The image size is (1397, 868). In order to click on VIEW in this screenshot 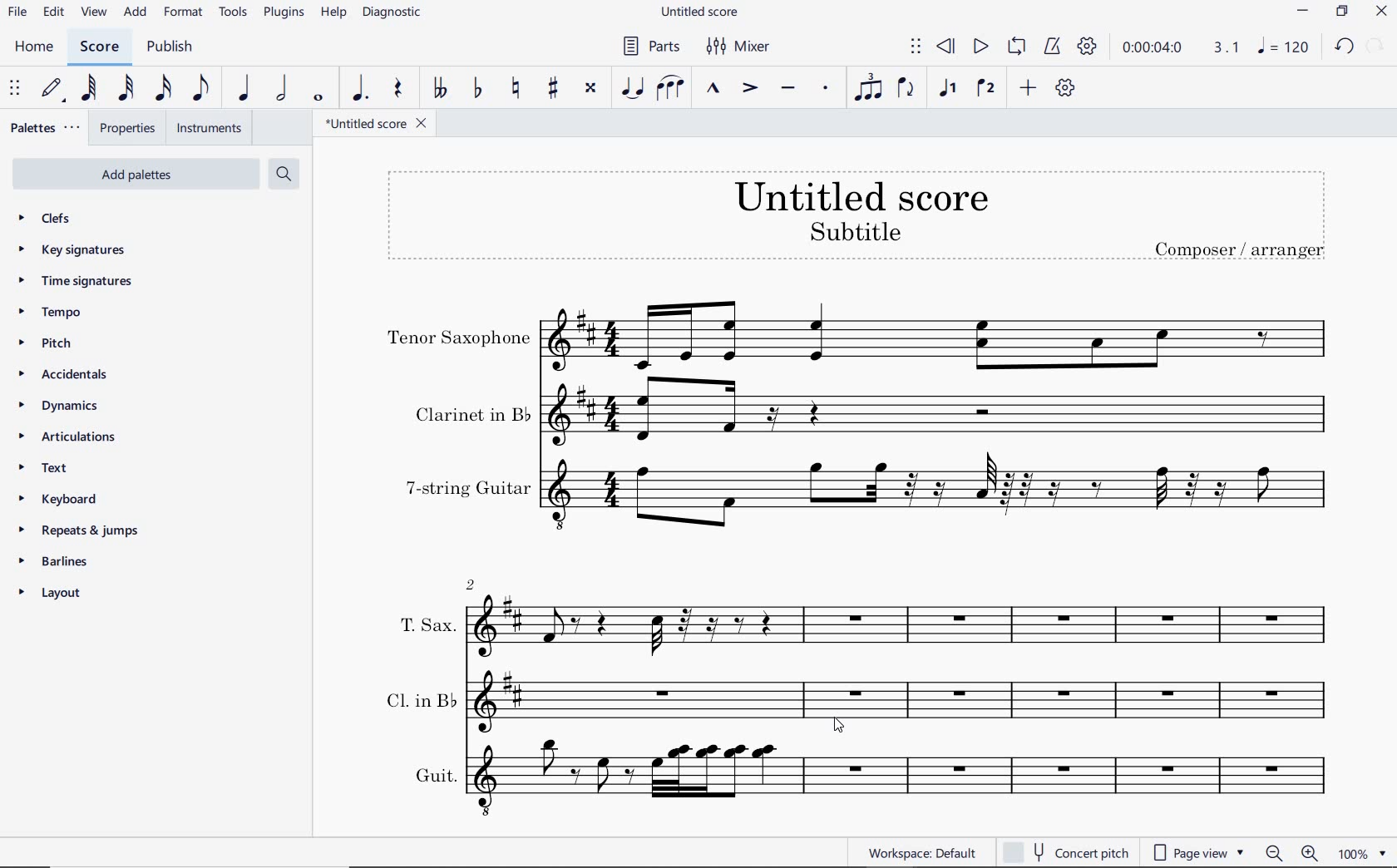, I will do `click(94, 11)`.